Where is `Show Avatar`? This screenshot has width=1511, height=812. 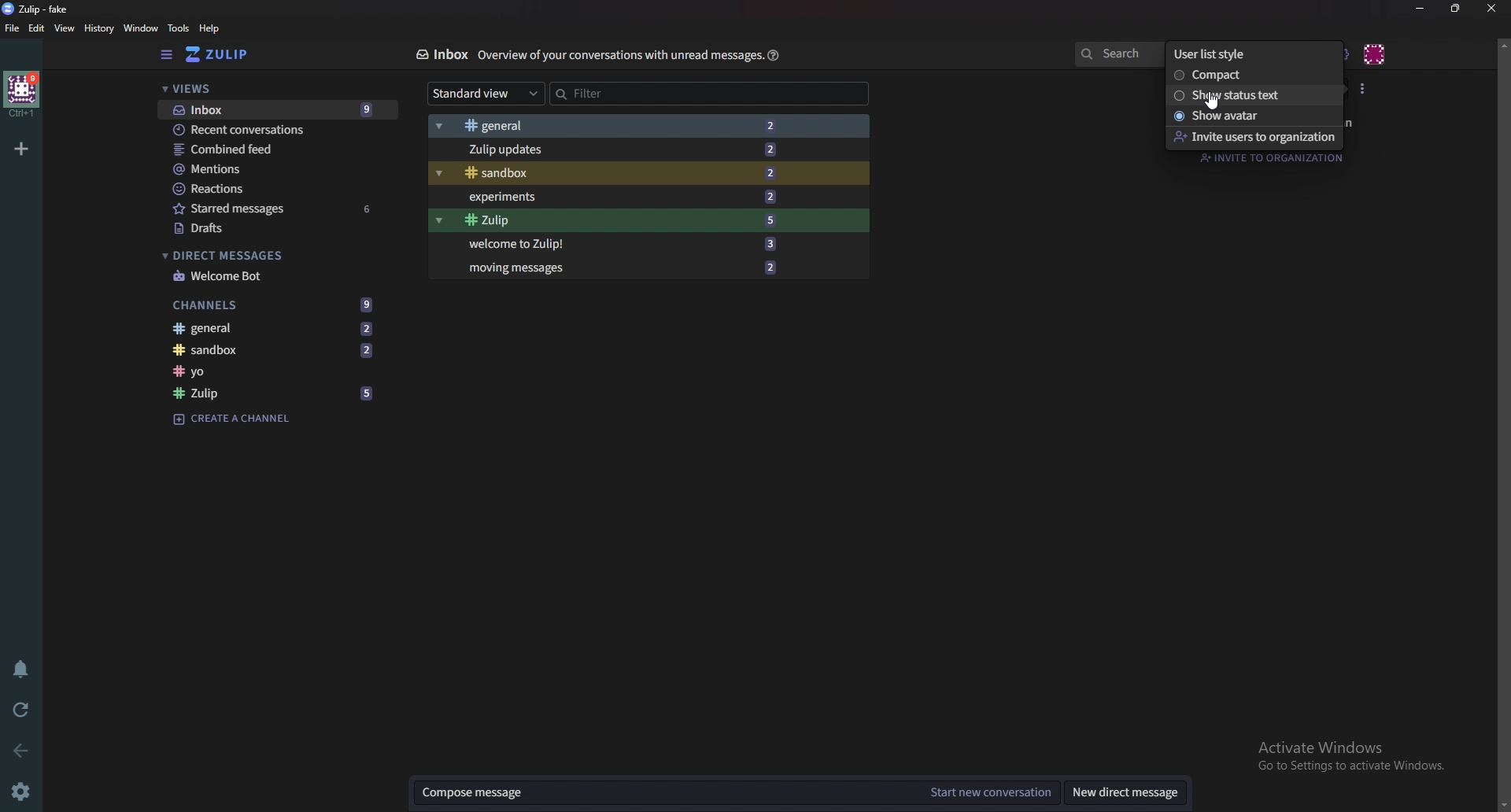
Show Avatar is located at coordinates (1247, 116).